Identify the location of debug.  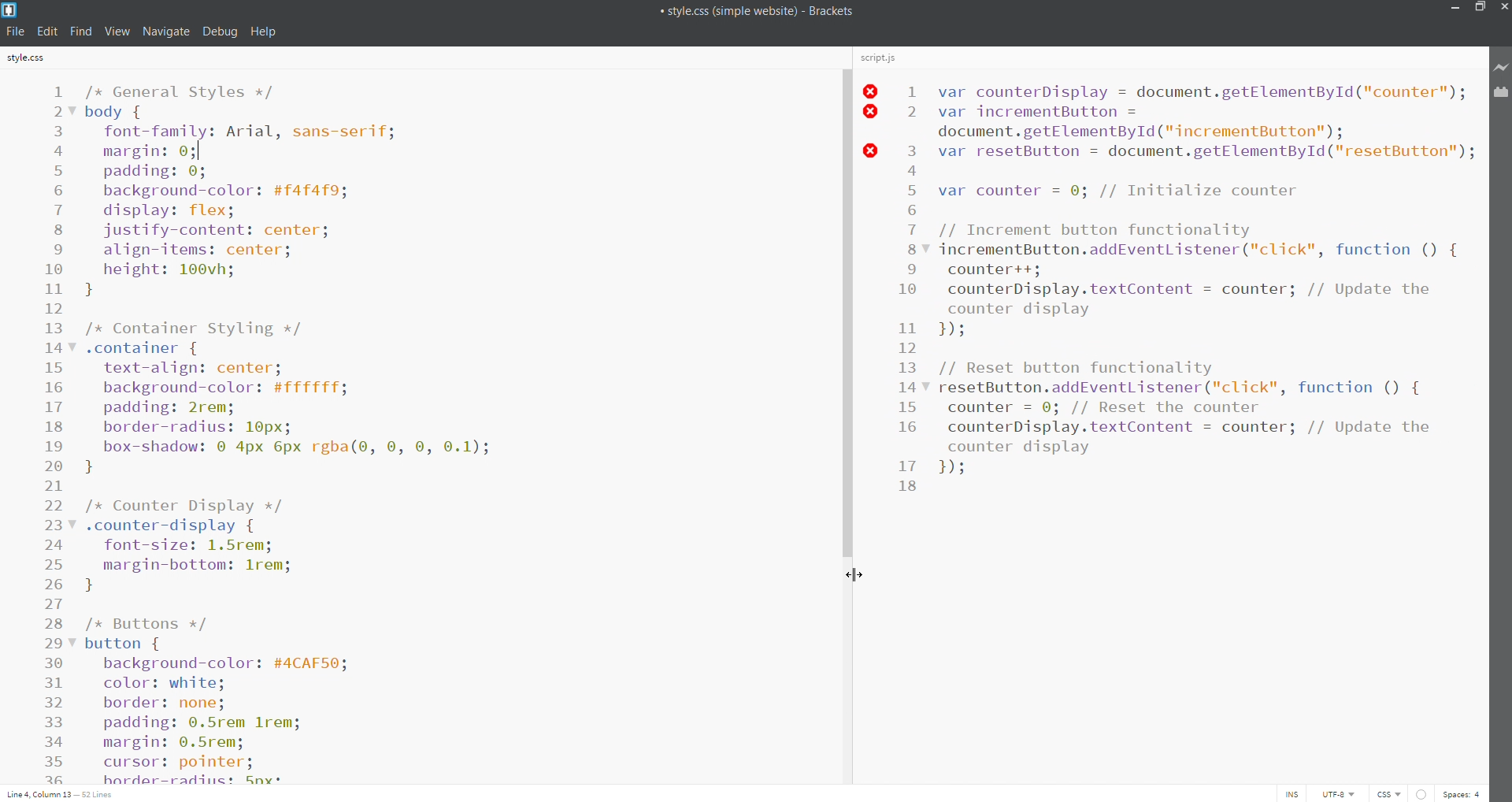
(220, 32).